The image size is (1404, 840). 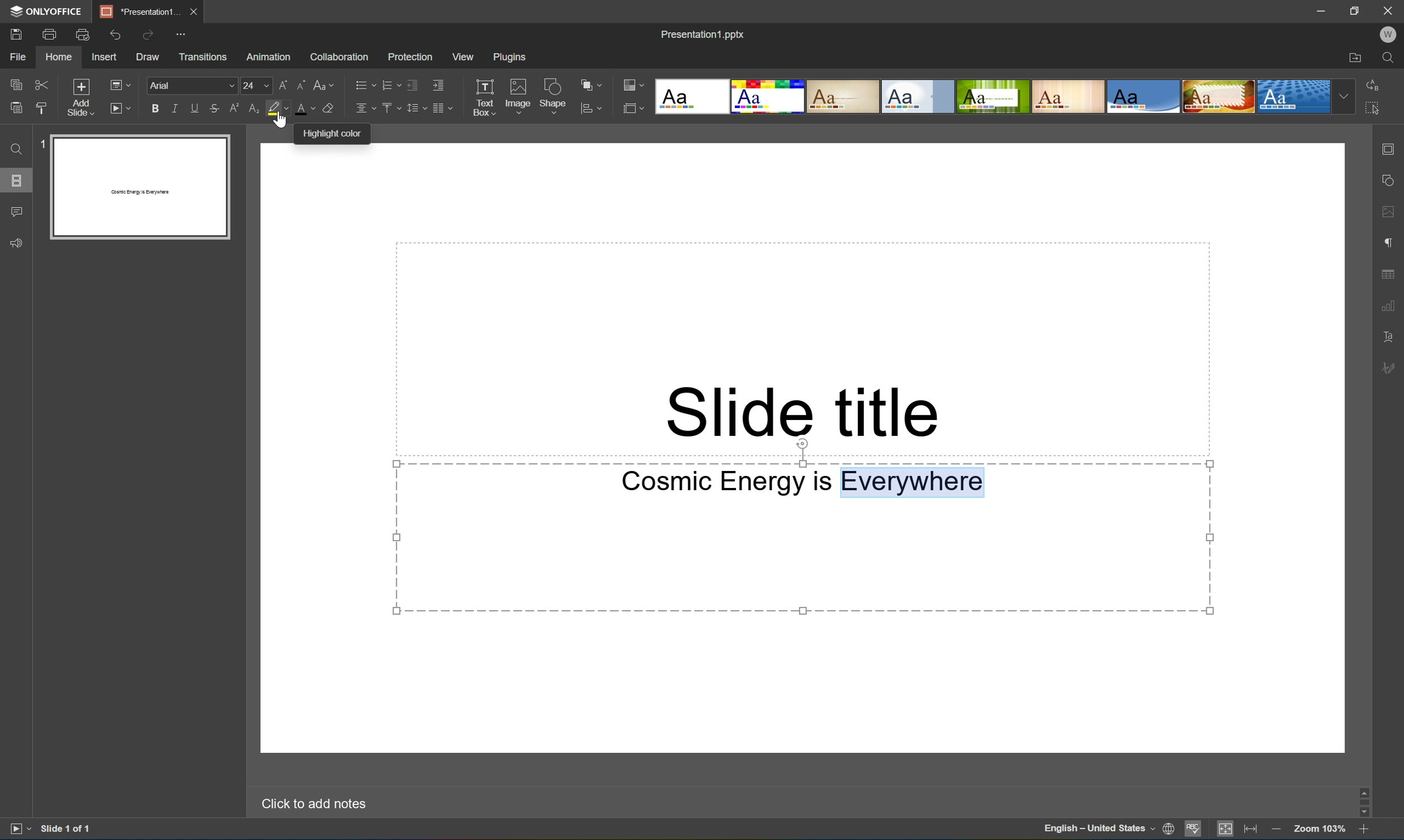 I want to click on Superscript, so click(x=233, y=106).